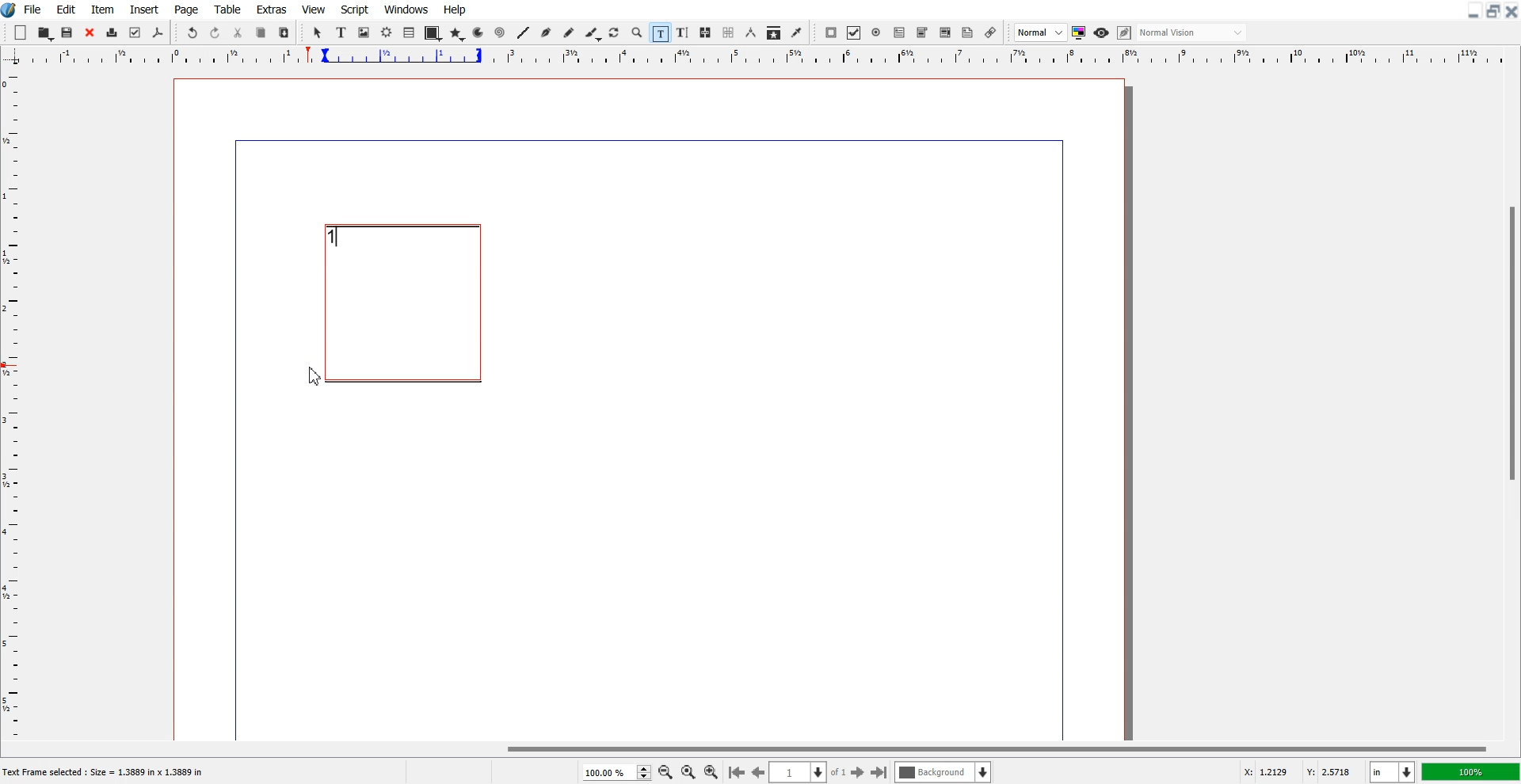 The image size is (1521, 784). I want to click on Redo, so click(215, 33).